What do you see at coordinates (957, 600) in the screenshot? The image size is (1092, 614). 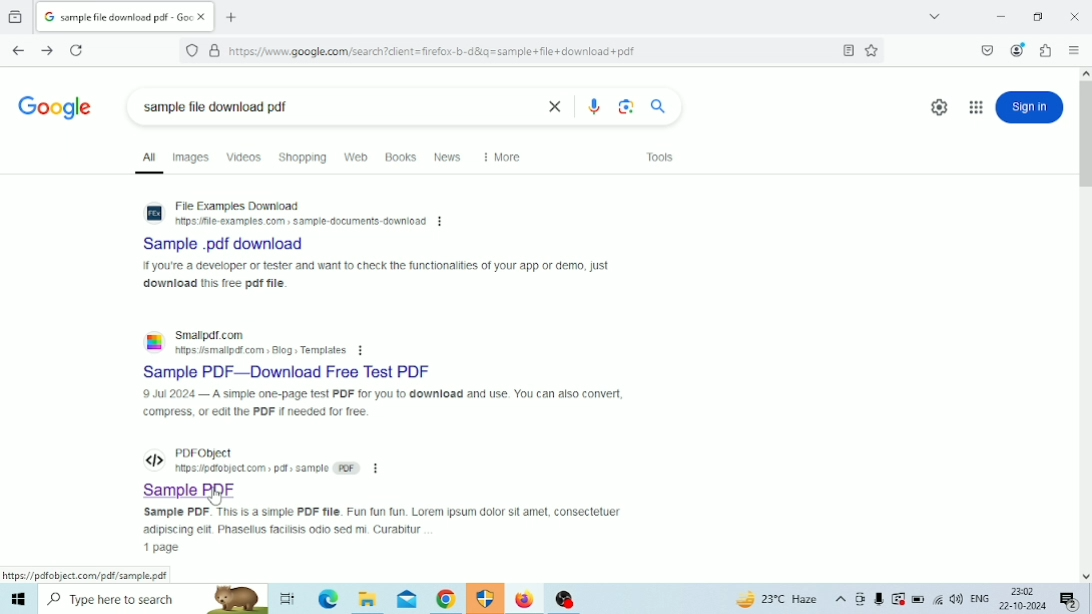 I see `Speakers` at bounding box center [957, 600].